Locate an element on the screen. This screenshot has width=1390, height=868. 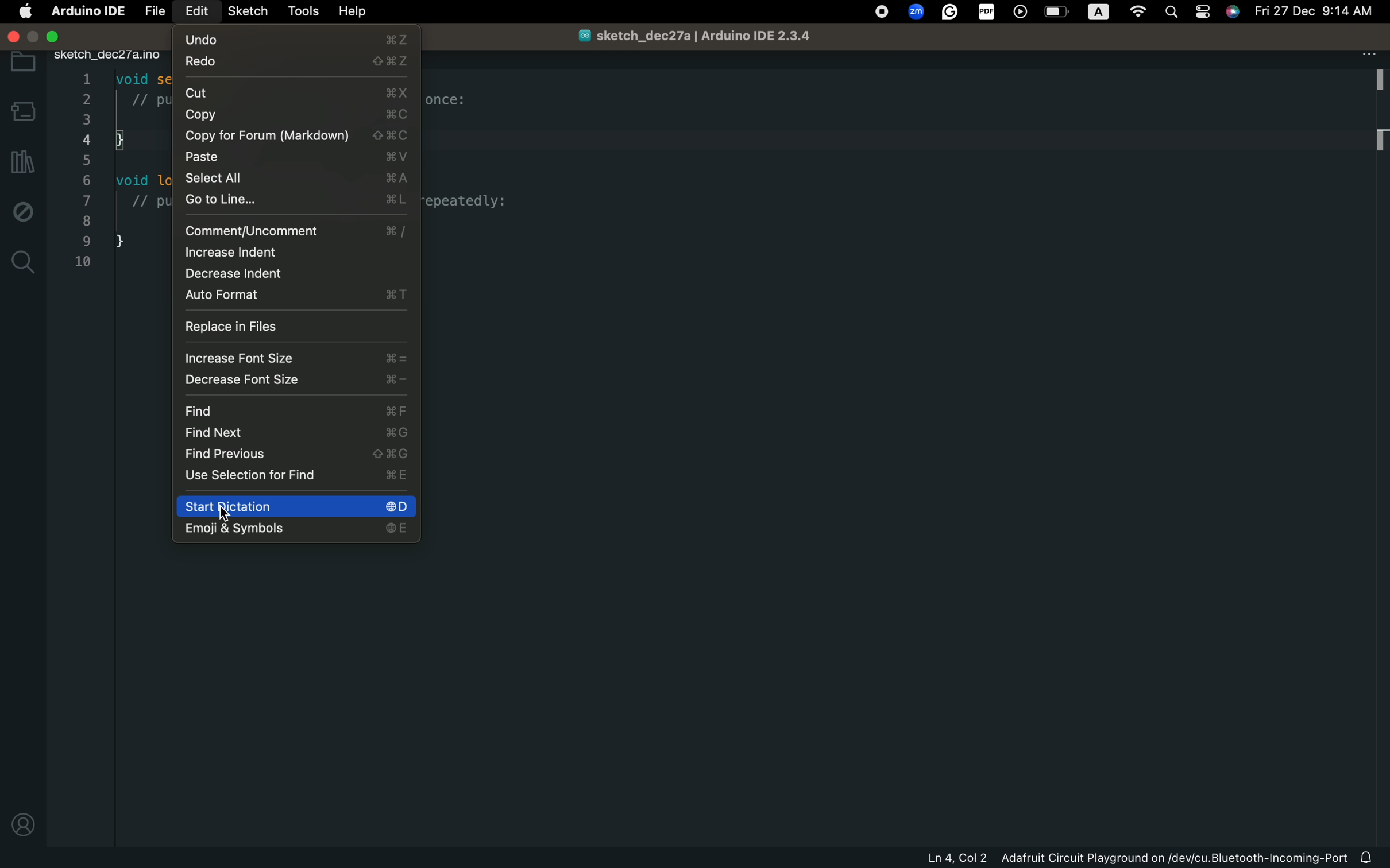
copy for forum(markdown) is located at coordinates (296, 137).